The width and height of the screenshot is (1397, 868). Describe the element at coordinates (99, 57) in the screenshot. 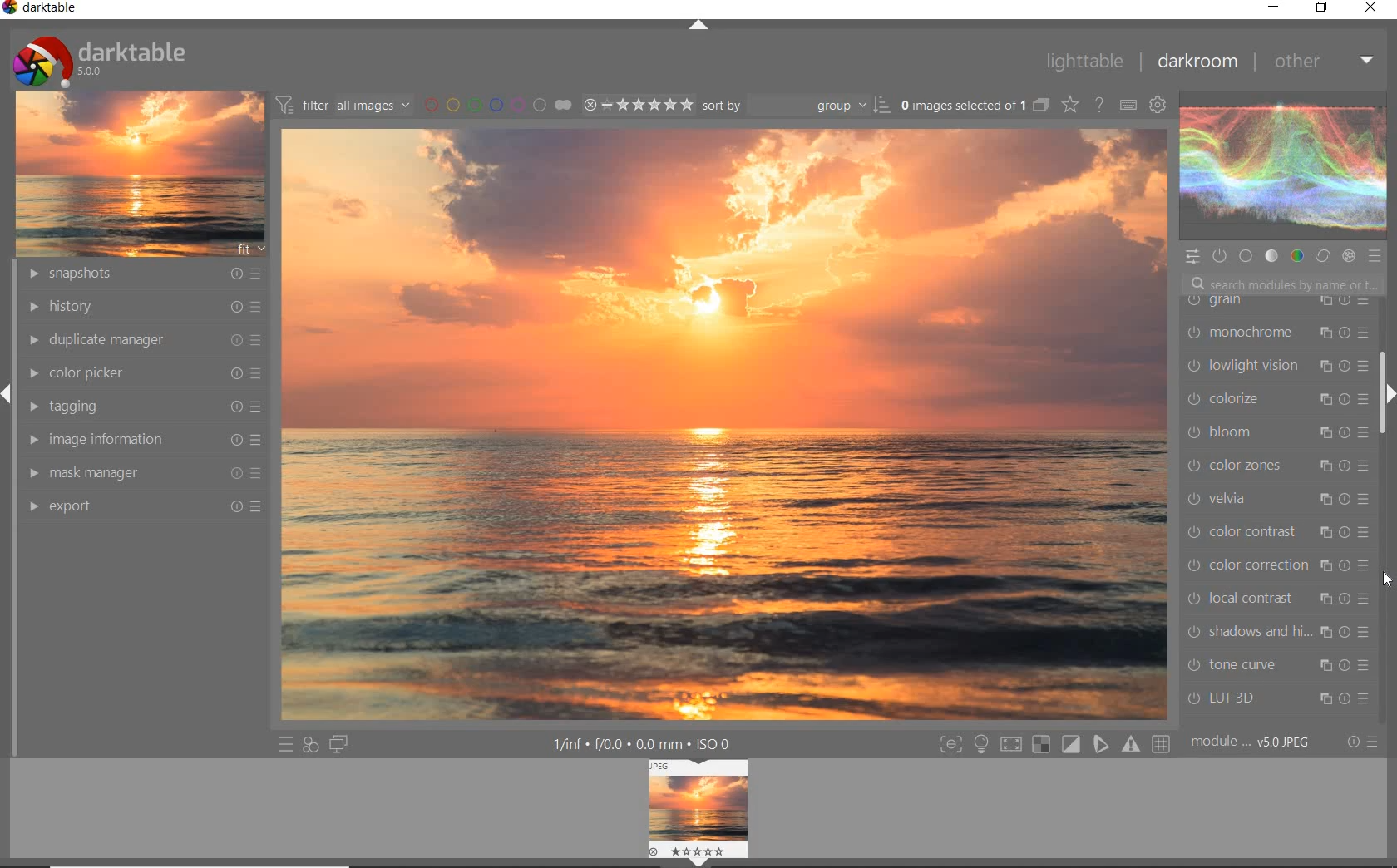

I see `SYSTEM LOGO & NAME` at that location.